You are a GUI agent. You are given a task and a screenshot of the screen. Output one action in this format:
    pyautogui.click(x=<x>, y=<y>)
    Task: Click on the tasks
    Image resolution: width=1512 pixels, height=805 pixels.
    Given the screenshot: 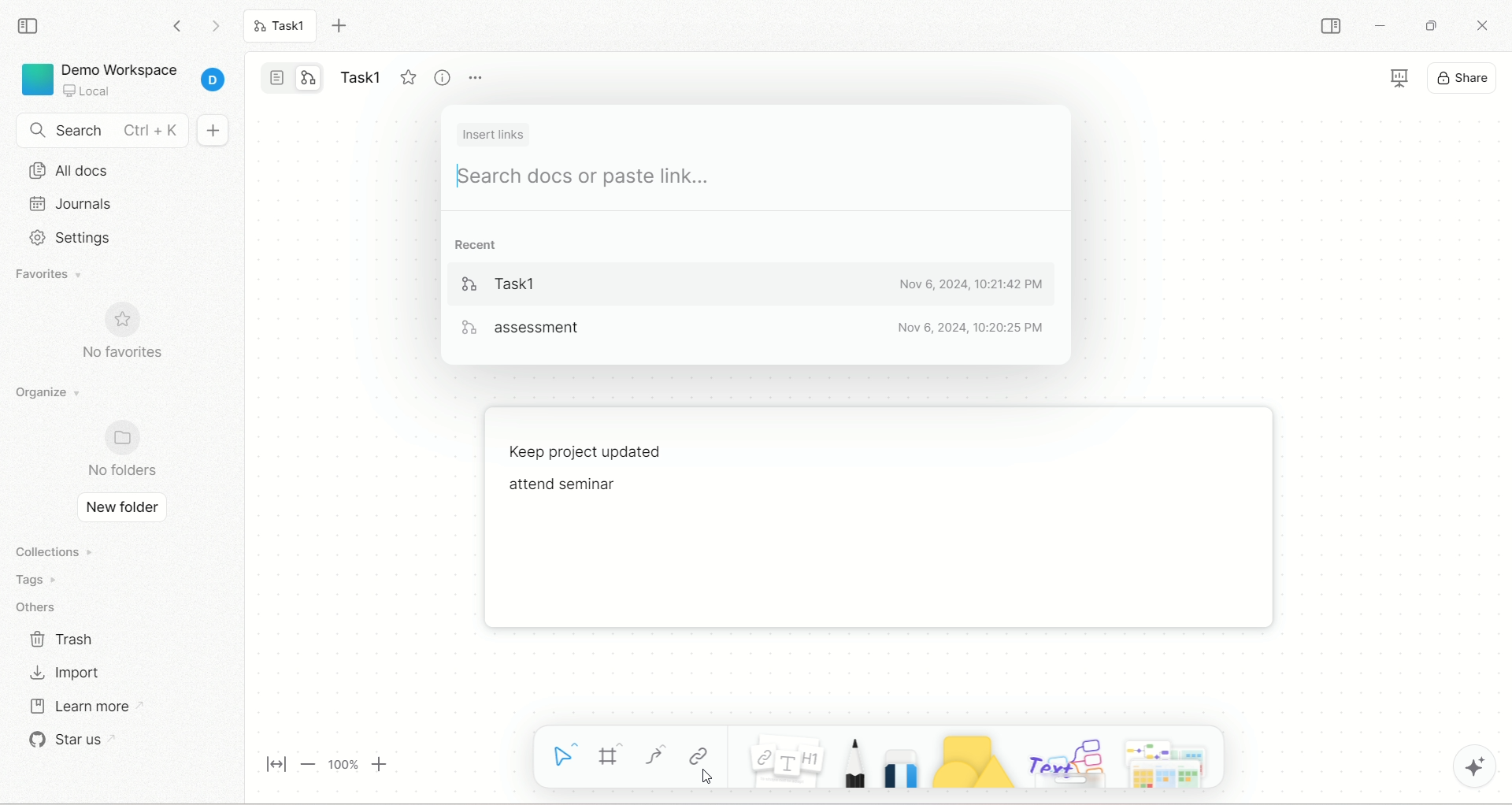 What is the action you would take?
    pyautogui.click(x=522, y=307)
    